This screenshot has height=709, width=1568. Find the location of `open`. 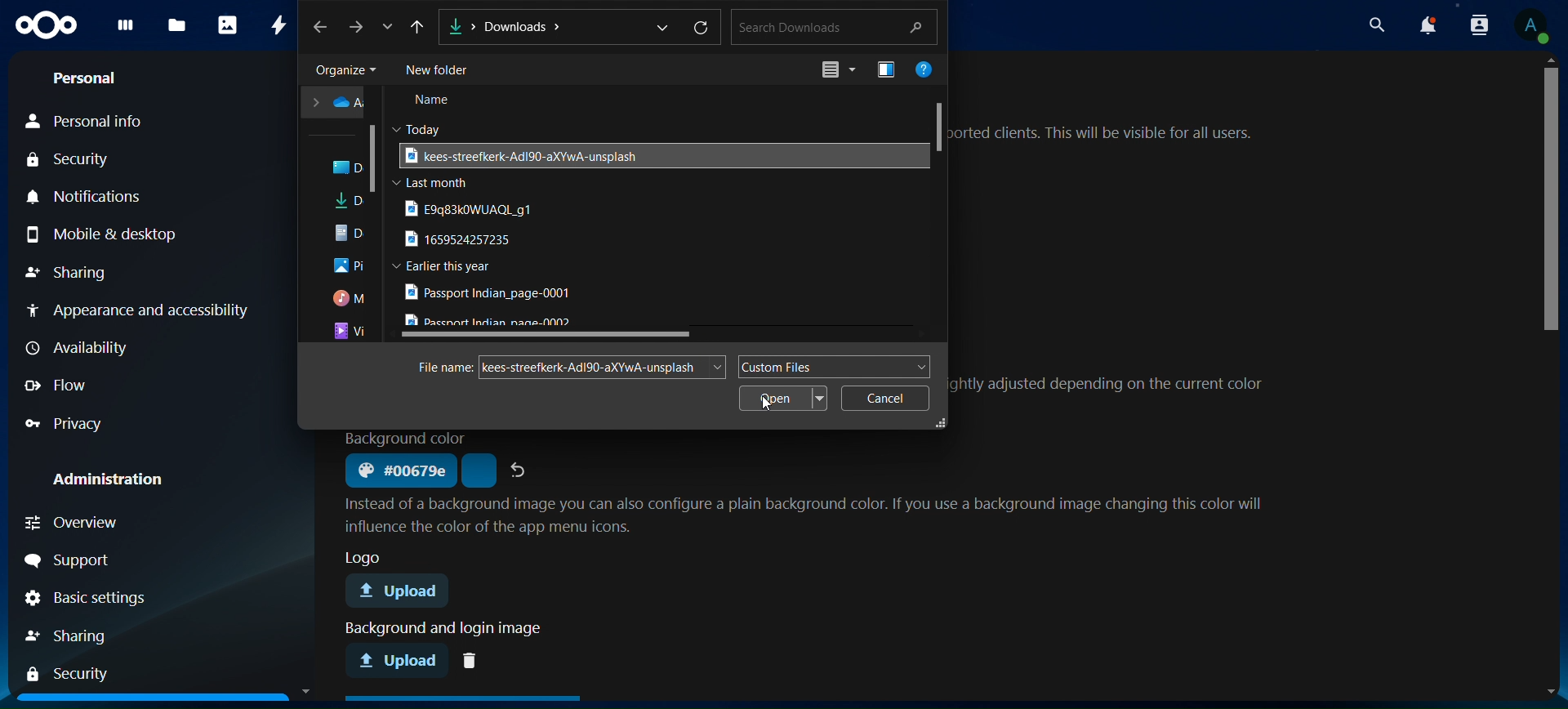

open is located at coordinates (786, 399).